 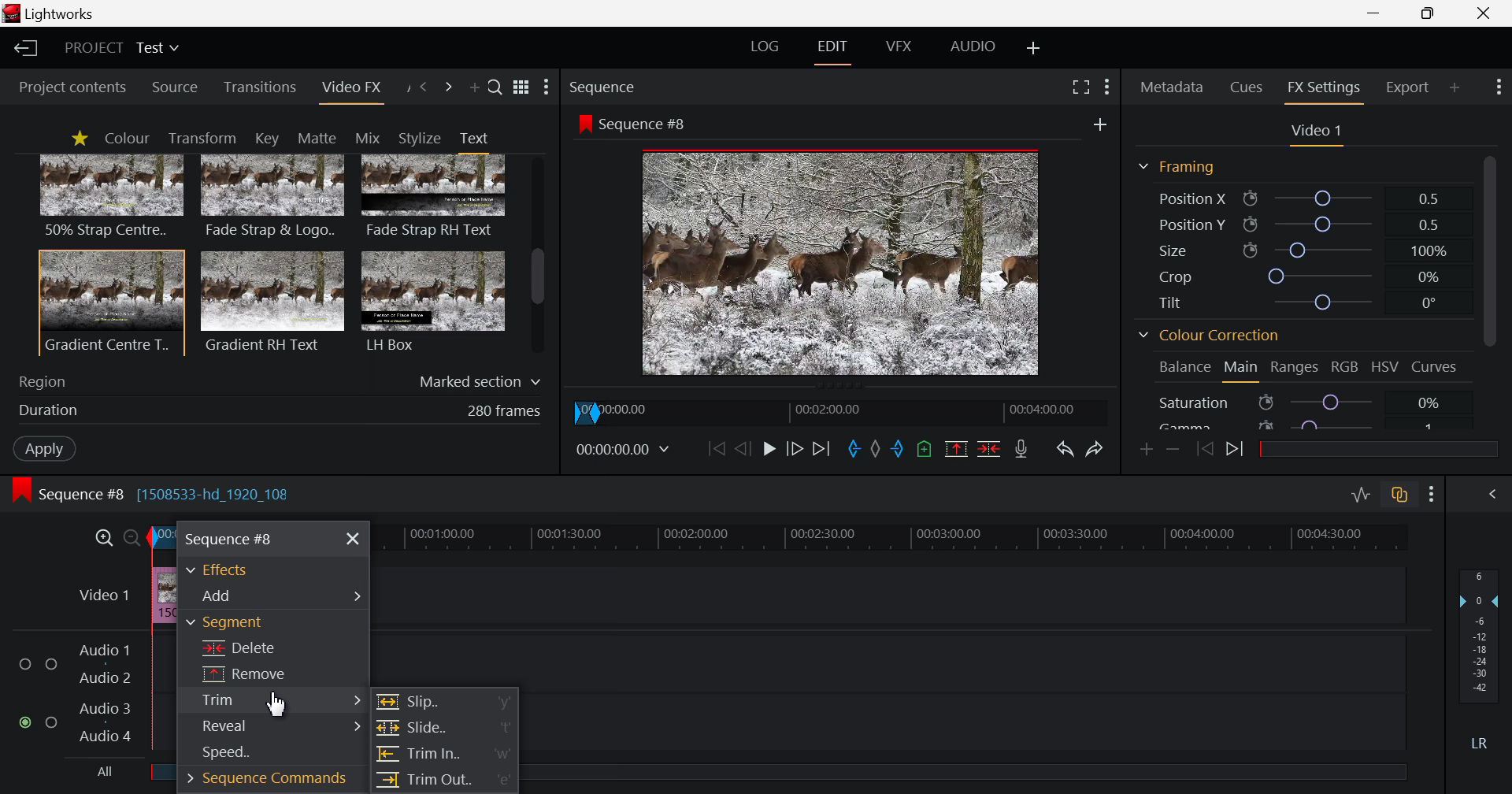 I want to click on Record voiceover, so click(x=1021, y=451).